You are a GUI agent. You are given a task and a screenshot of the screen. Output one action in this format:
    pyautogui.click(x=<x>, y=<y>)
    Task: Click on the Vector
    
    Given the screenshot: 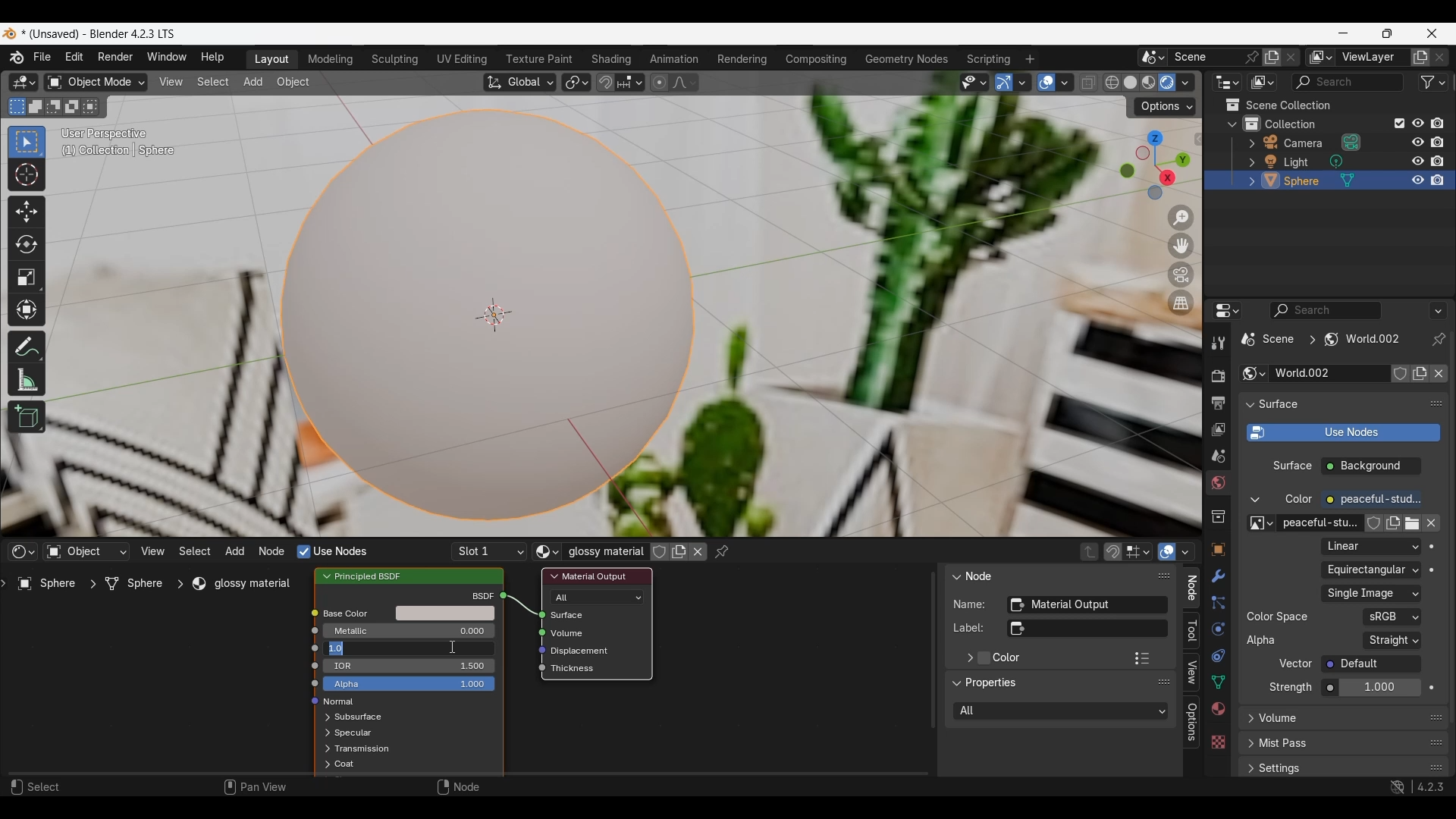 What is the action you would take?
    pyautogui.click(x=1371, y=664)
    